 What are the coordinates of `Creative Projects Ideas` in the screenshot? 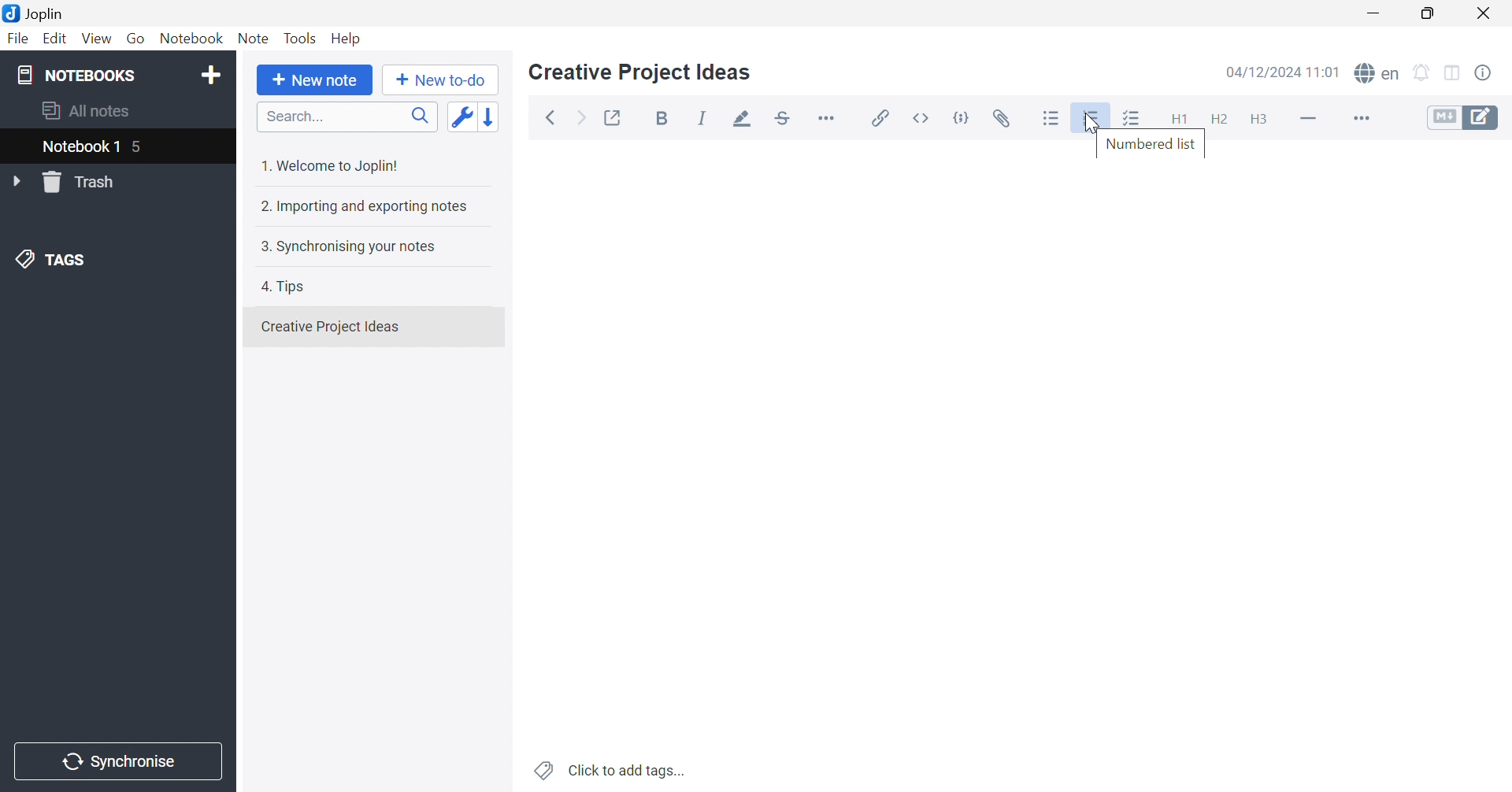 It's located at (330, 327).